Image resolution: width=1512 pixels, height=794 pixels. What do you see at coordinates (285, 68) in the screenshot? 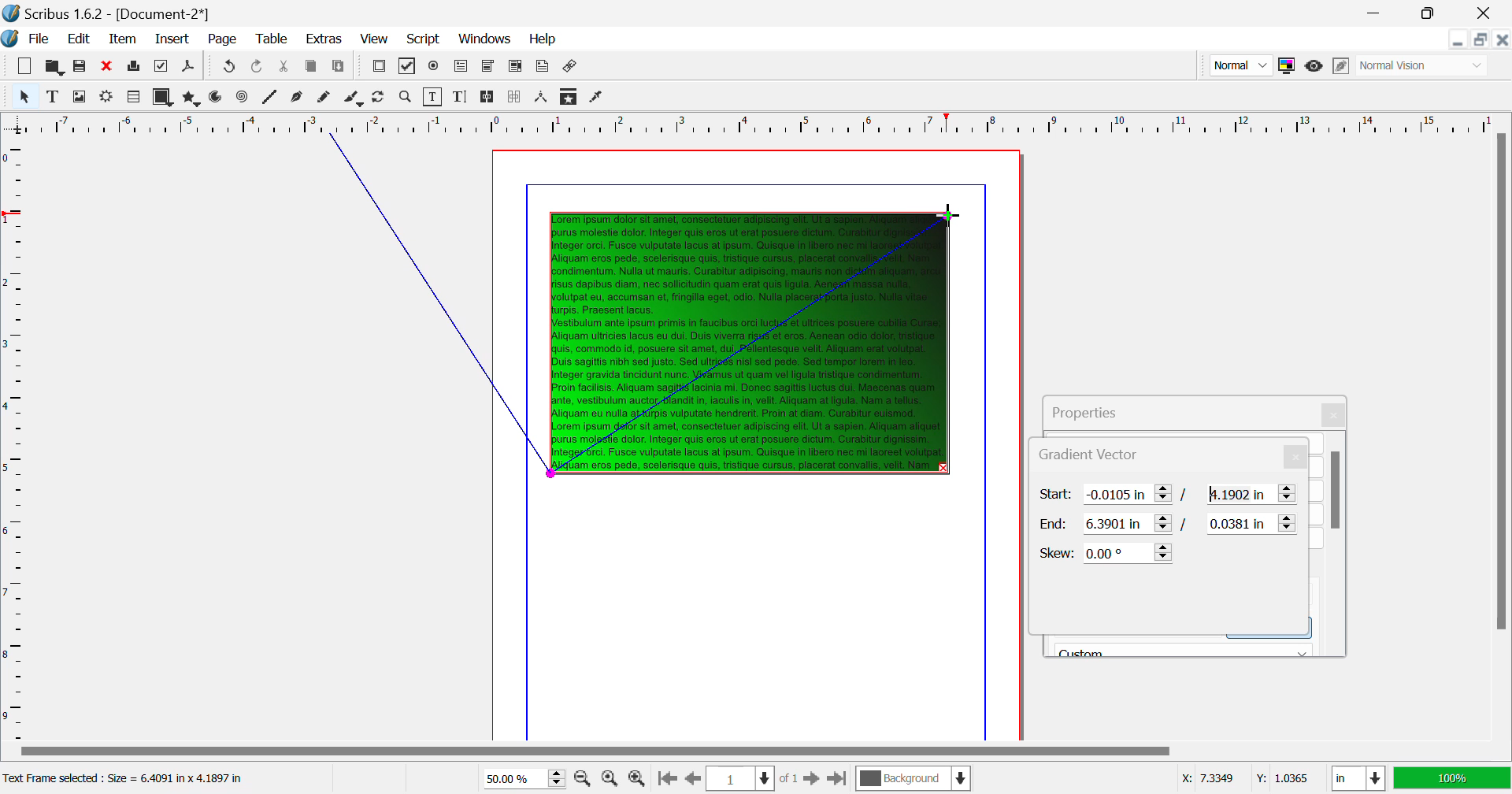
I see `Cut` at bounding box center [285, 68].